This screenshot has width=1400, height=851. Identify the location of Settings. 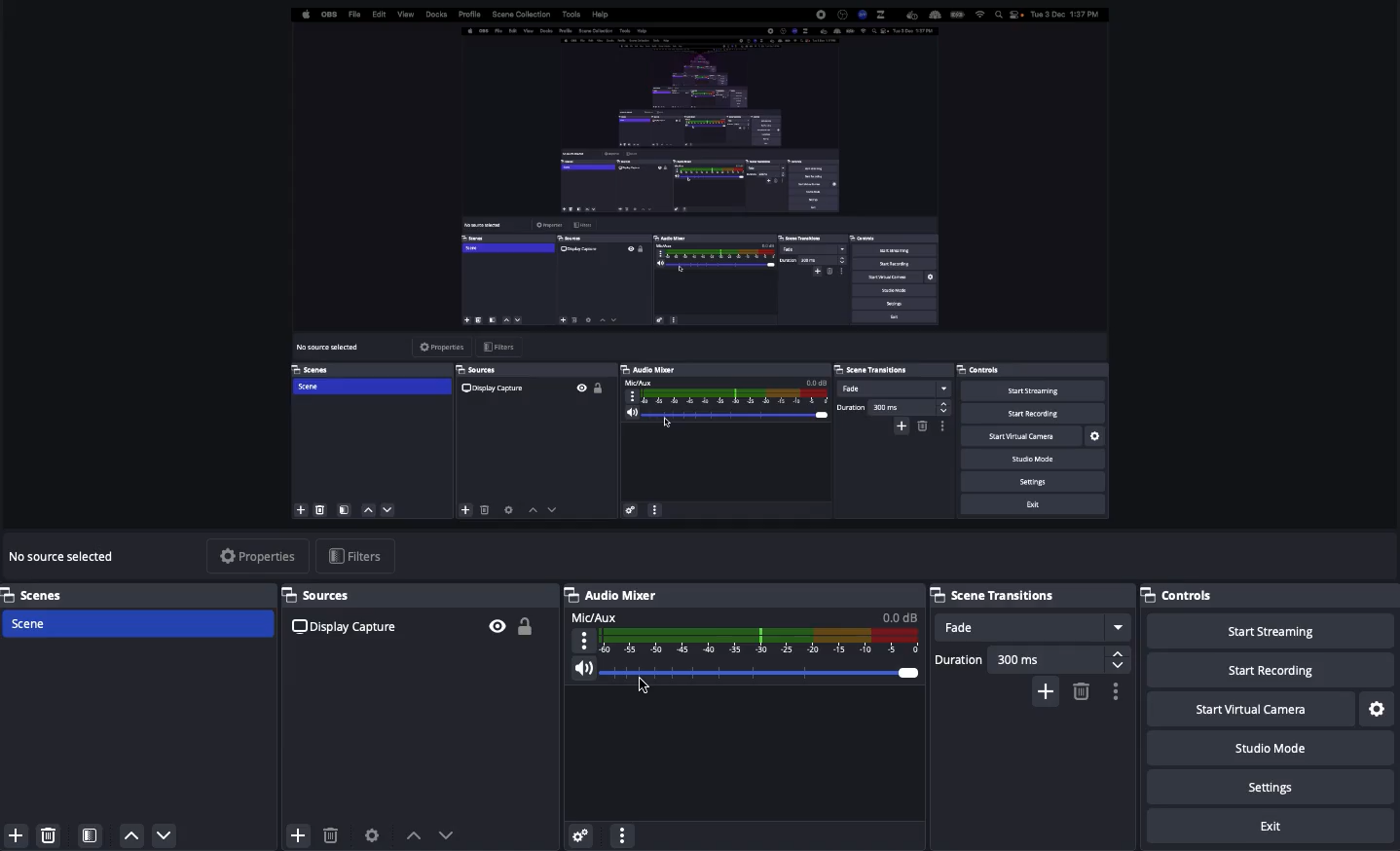
(1273, 788).